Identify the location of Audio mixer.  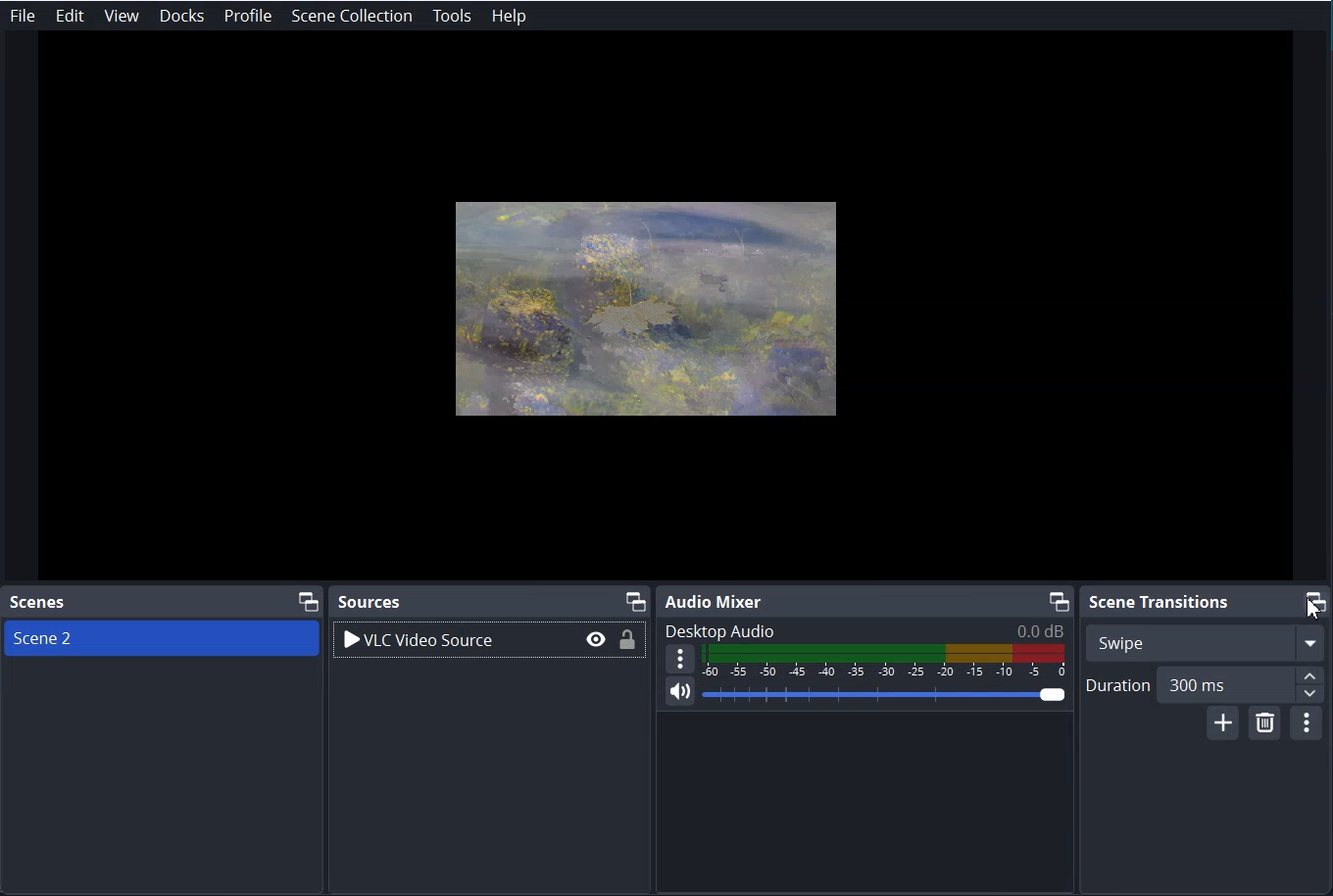
(716, 601).